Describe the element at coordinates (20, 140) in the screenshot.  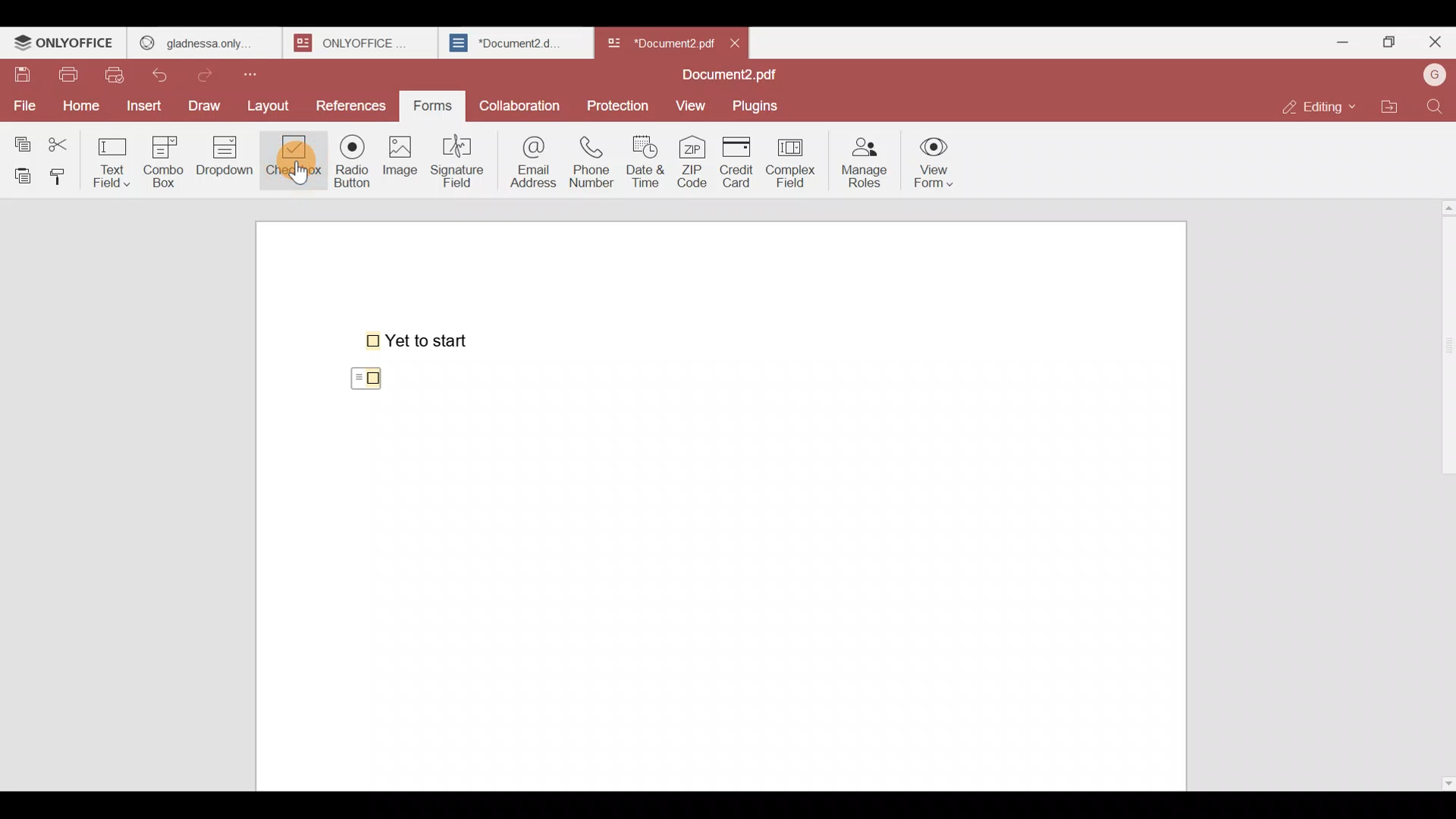
I see `Copy` at that location.